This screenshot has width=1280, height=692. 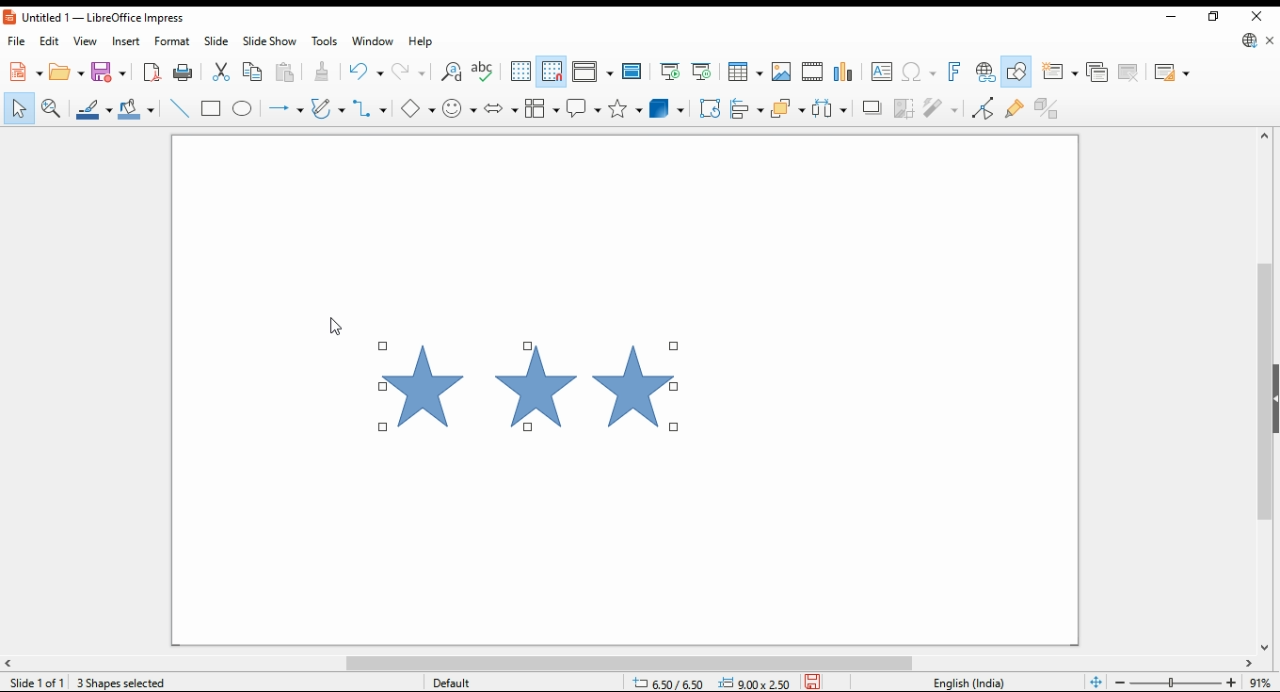 What do you see at coordinates (67, 71) in the screenshot?
I see `open` at bounding box center [67, 71].